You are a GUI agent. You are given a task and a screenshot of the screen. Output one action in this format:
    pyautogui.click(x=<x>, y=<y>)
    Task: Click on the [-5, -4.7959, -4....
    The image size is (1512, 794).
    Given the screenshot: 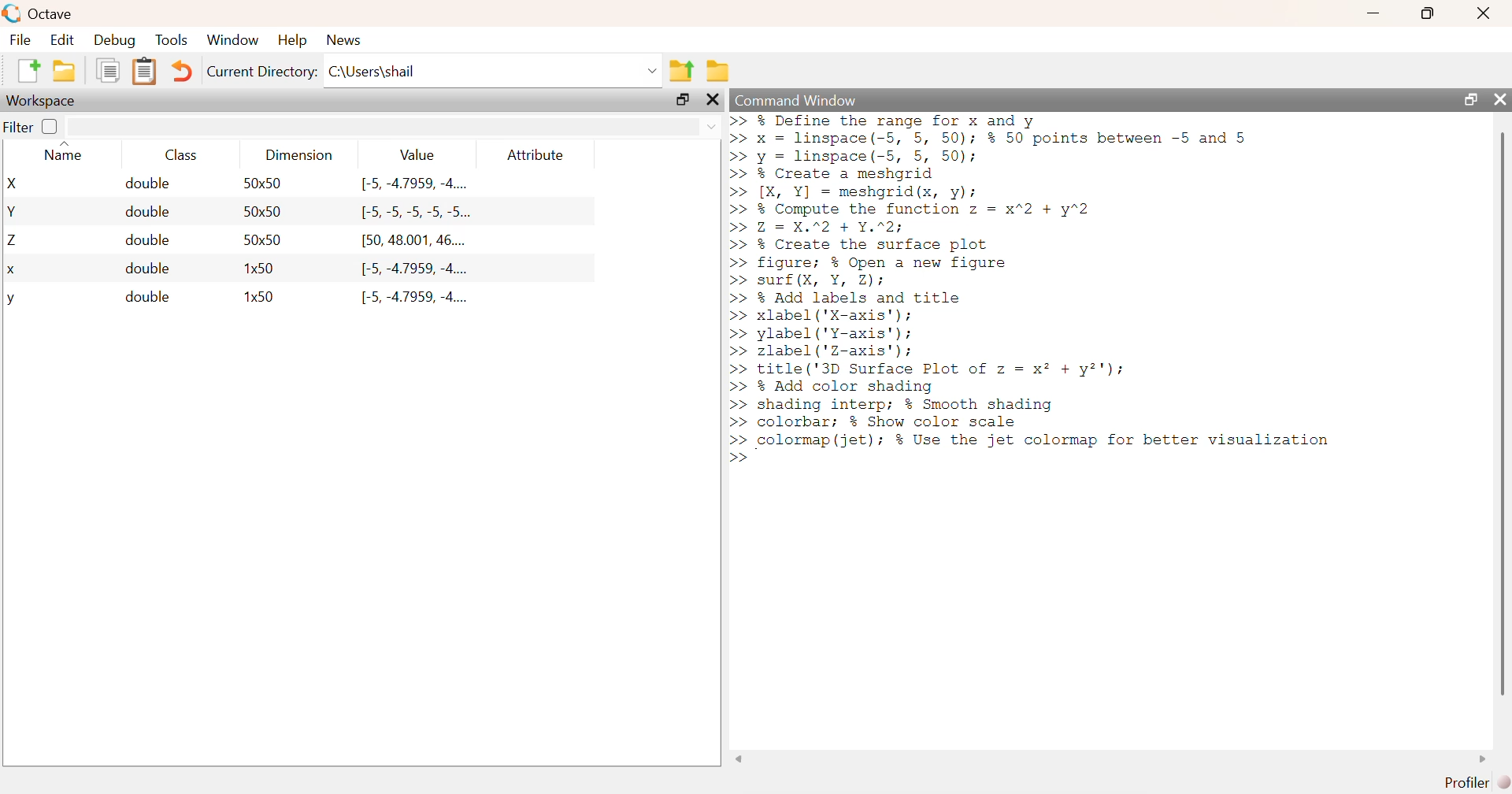 What is the action you would take?
    pyautogui.click(x=417, y=298)
    